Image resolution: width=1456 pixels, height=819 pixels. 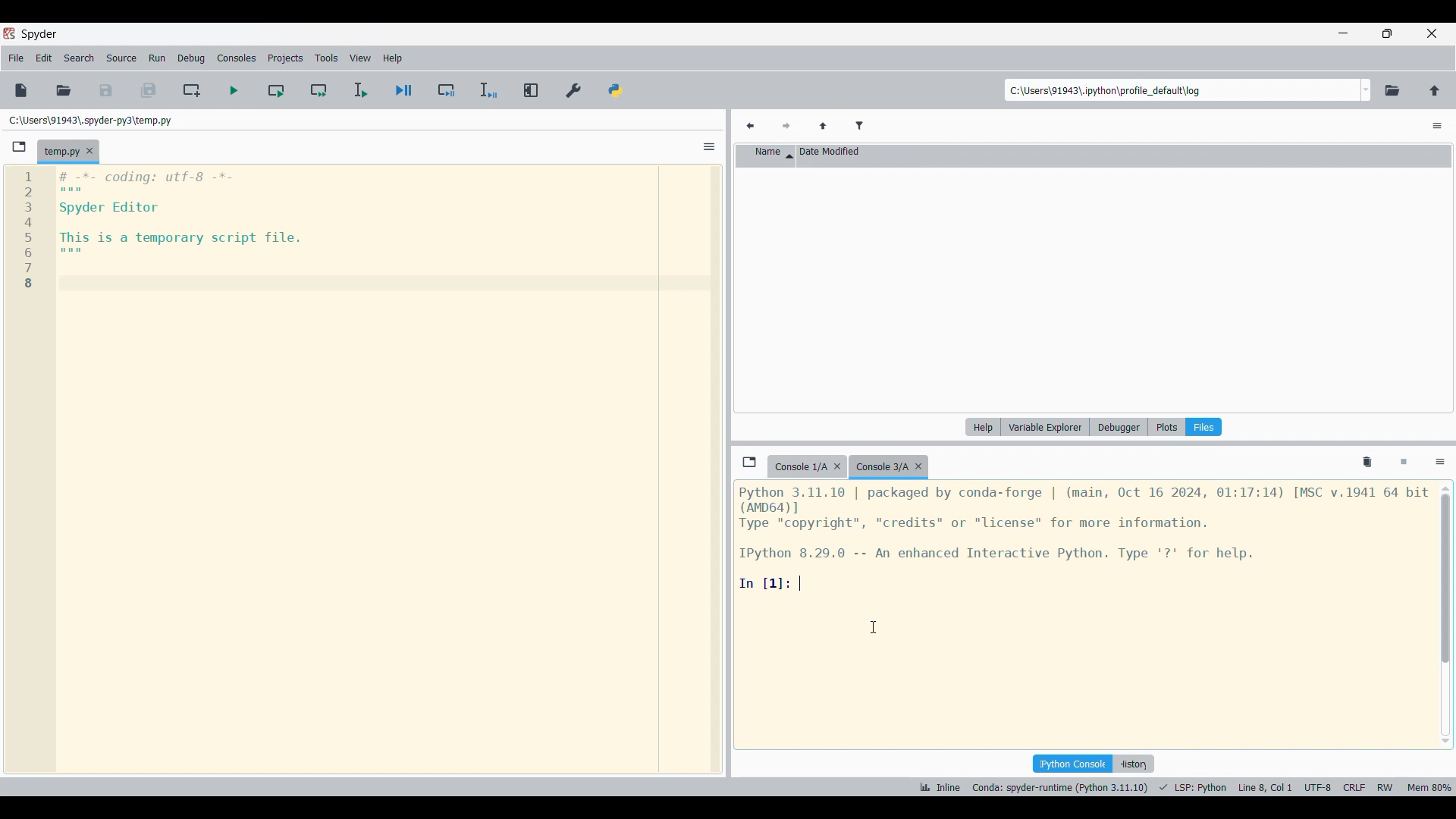 I want to click on Close, so click(x=837, y=466).